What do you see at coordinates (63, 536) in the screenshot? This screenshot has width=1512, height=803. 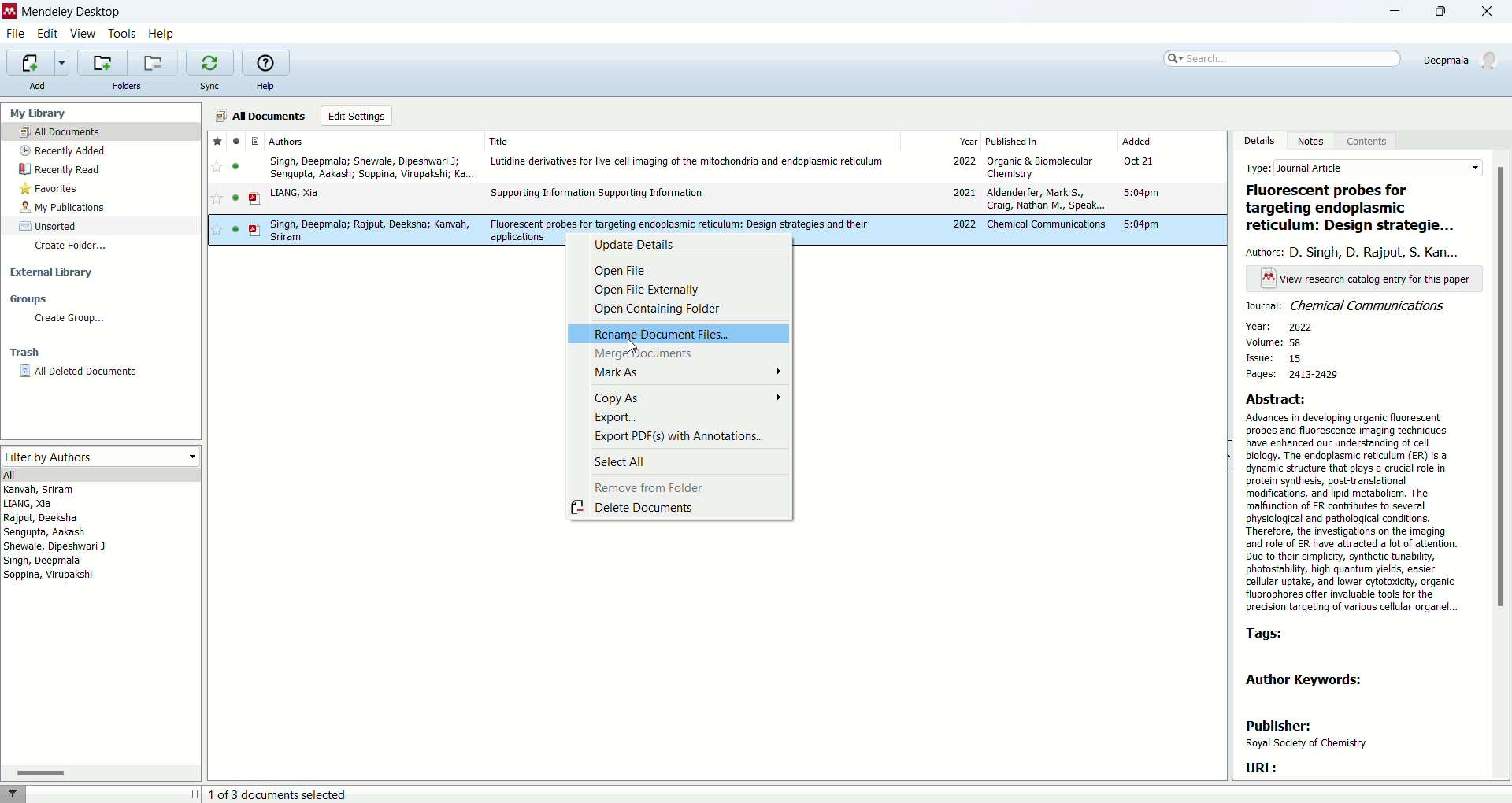 I see `authors` at bounding box center [63, 536].